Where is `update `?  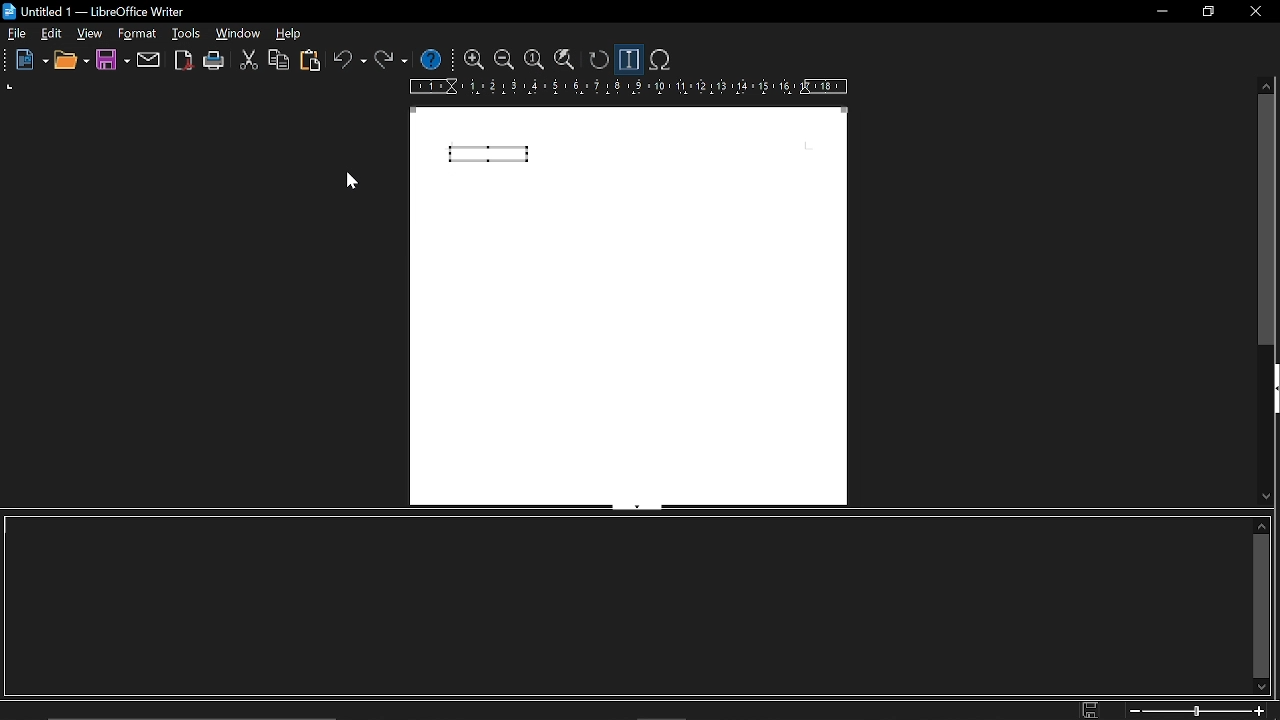
update  is located at coordinates (596, 60).